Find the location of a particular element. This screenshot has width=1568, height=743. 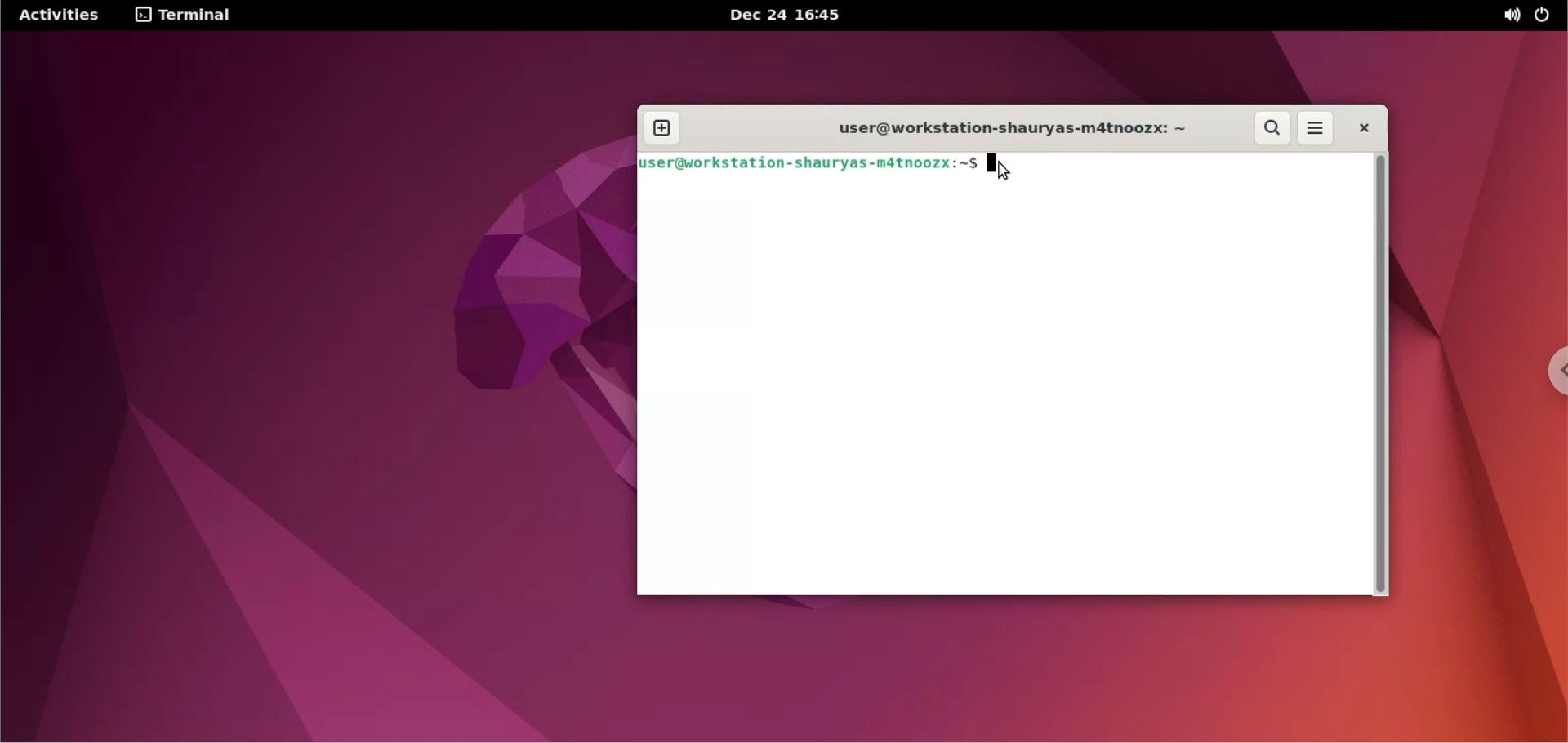

terminal menus is located at coordinates (1314, 129).